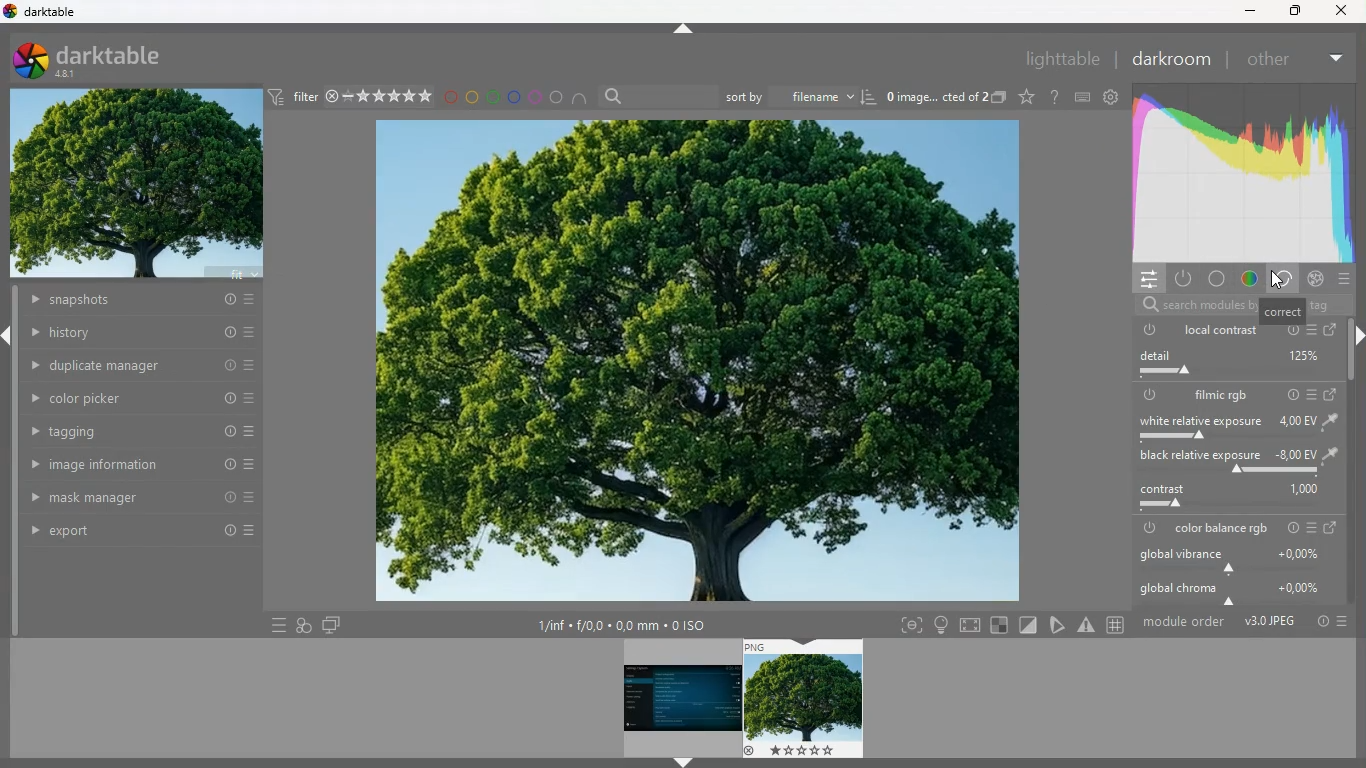 The image size is (1366, 768). What do you see at coordinates (1001, 625) in the screenshot?
I see `square` at bounding box center [1001, 625].